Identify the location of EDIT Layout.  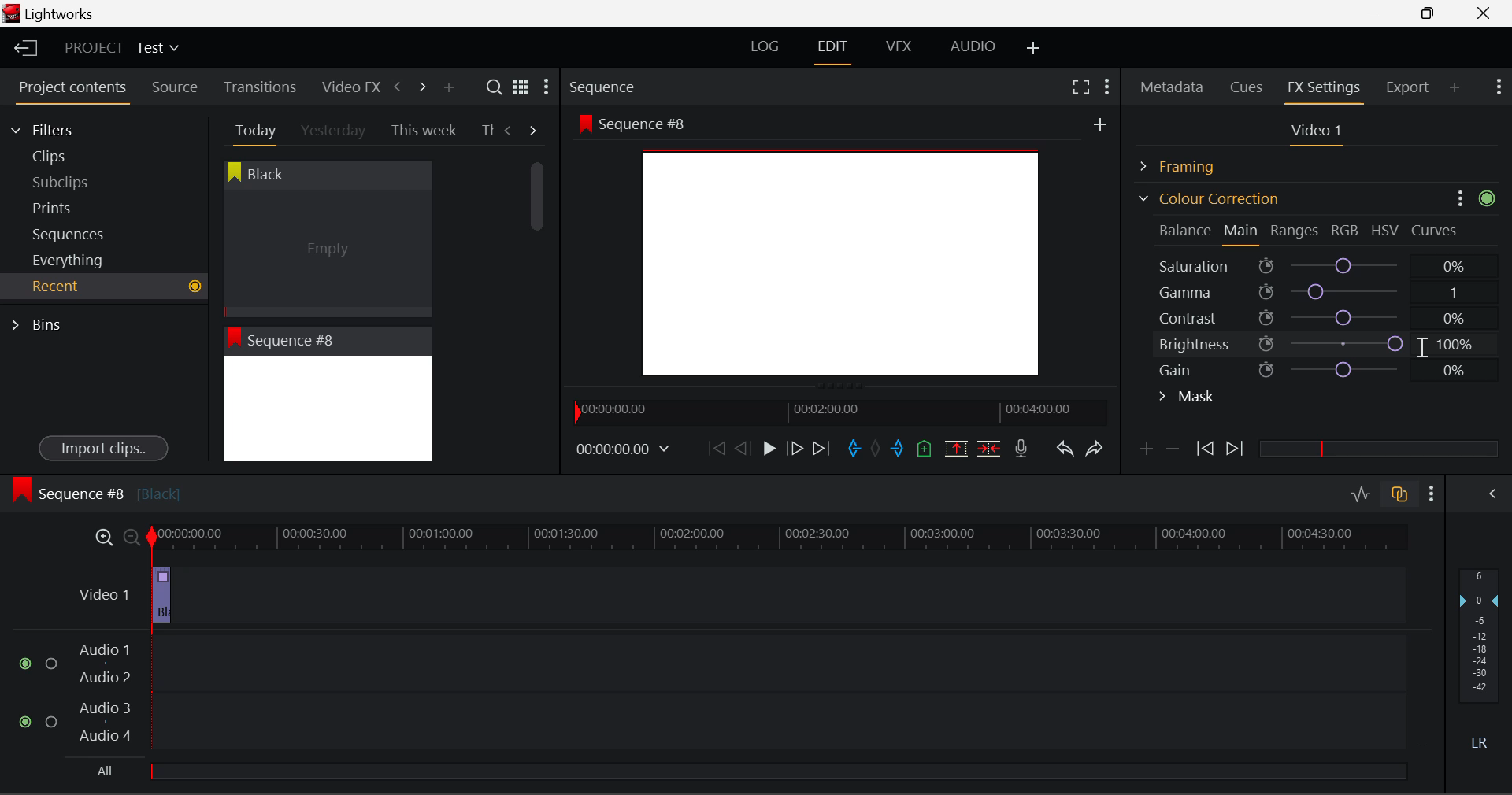
(835, 50).